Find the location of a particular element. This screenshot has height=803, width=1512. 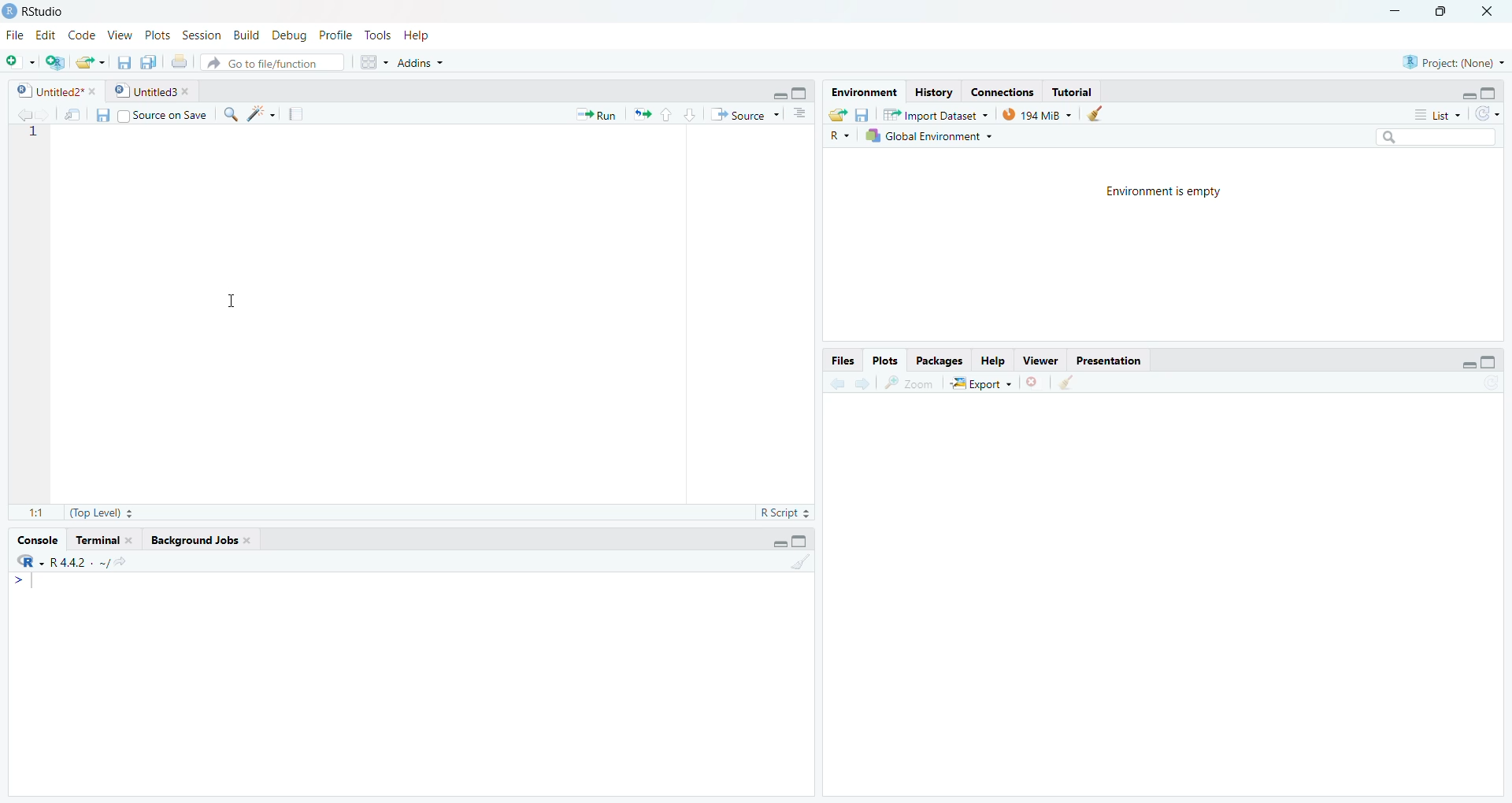

Terminal is located at coordinates (106, 542).